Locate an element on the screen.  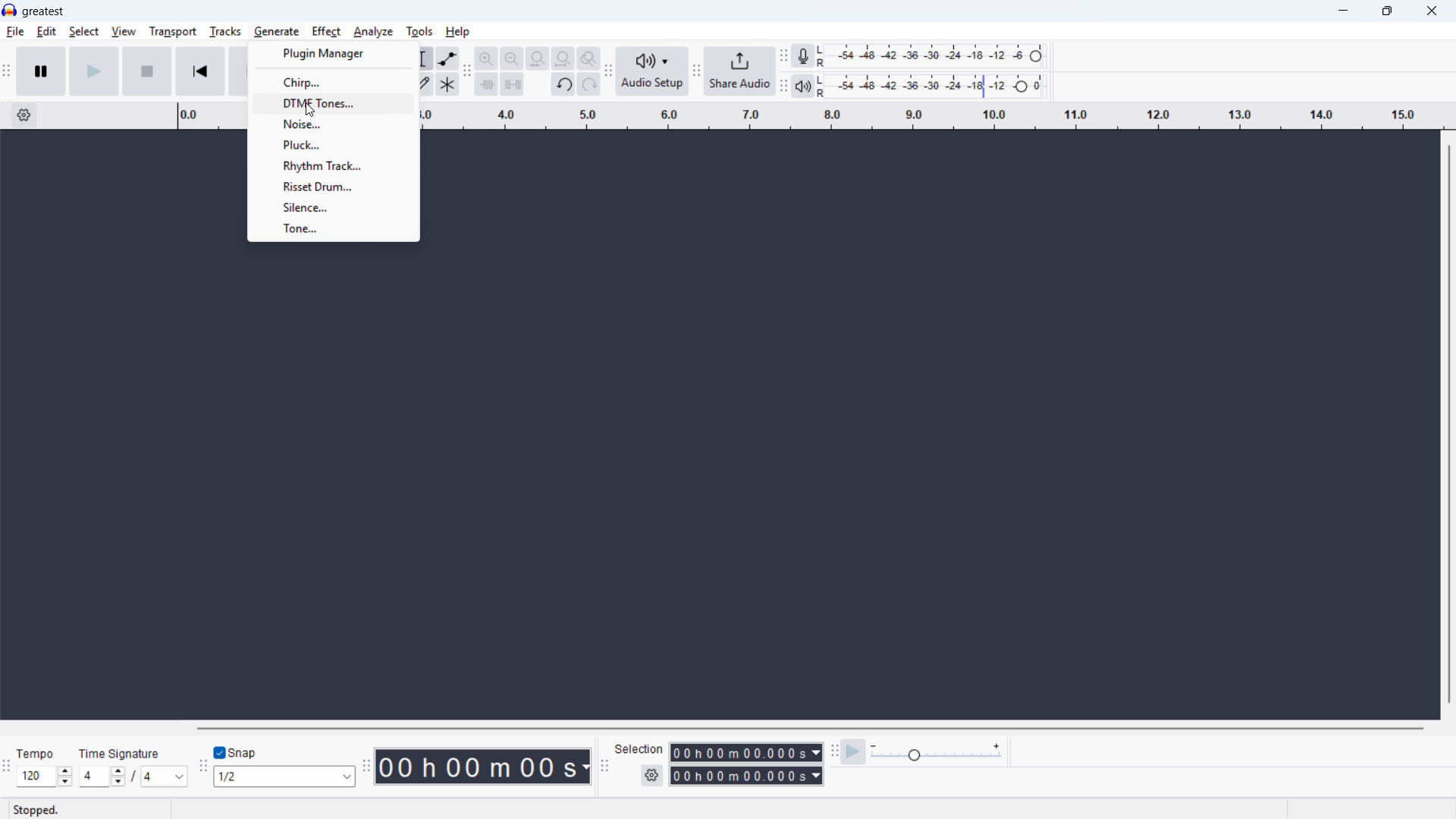
Play at speed  is located at coordinates (854, 752).